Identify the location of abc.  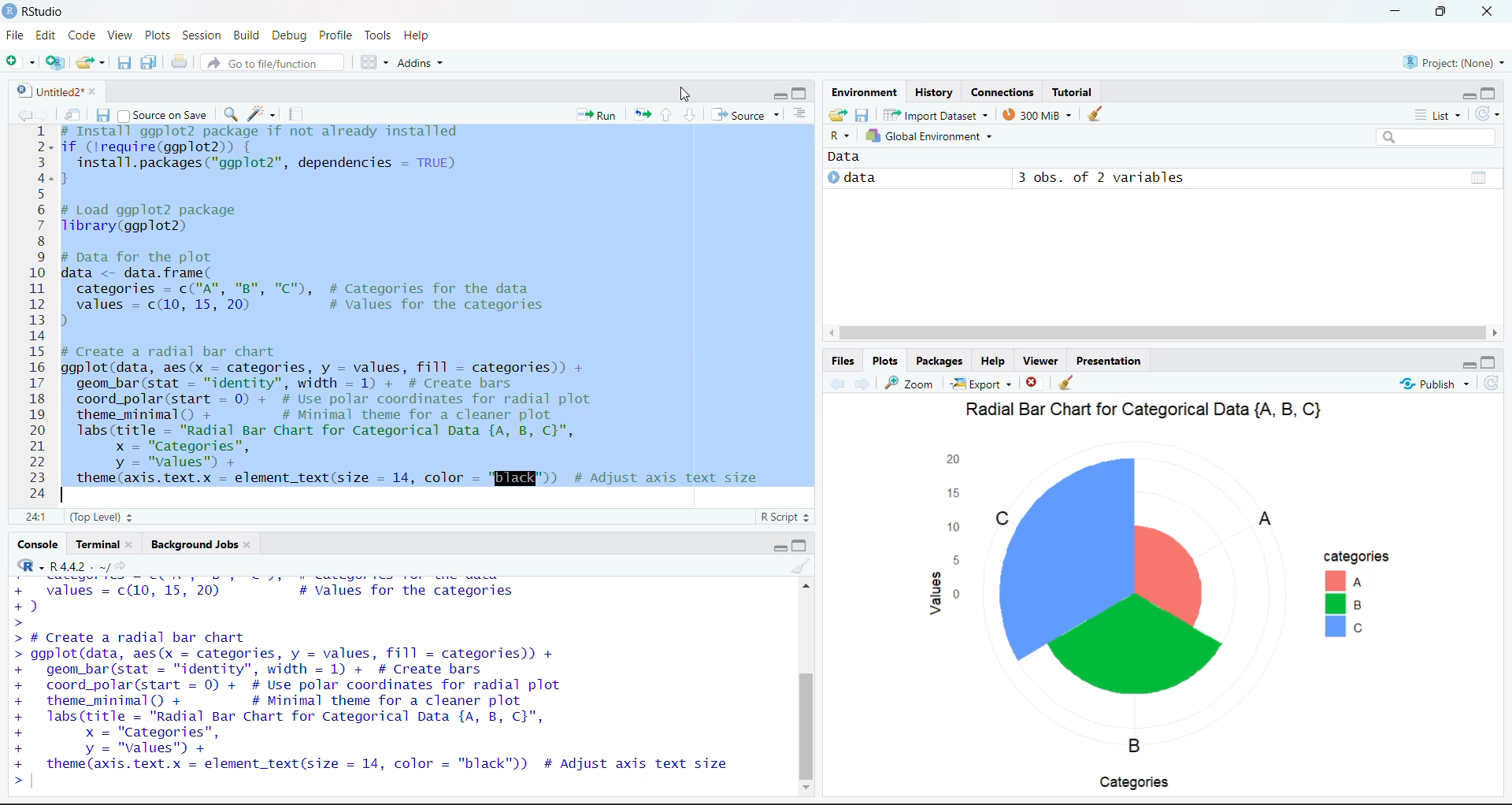
(1346, 608).